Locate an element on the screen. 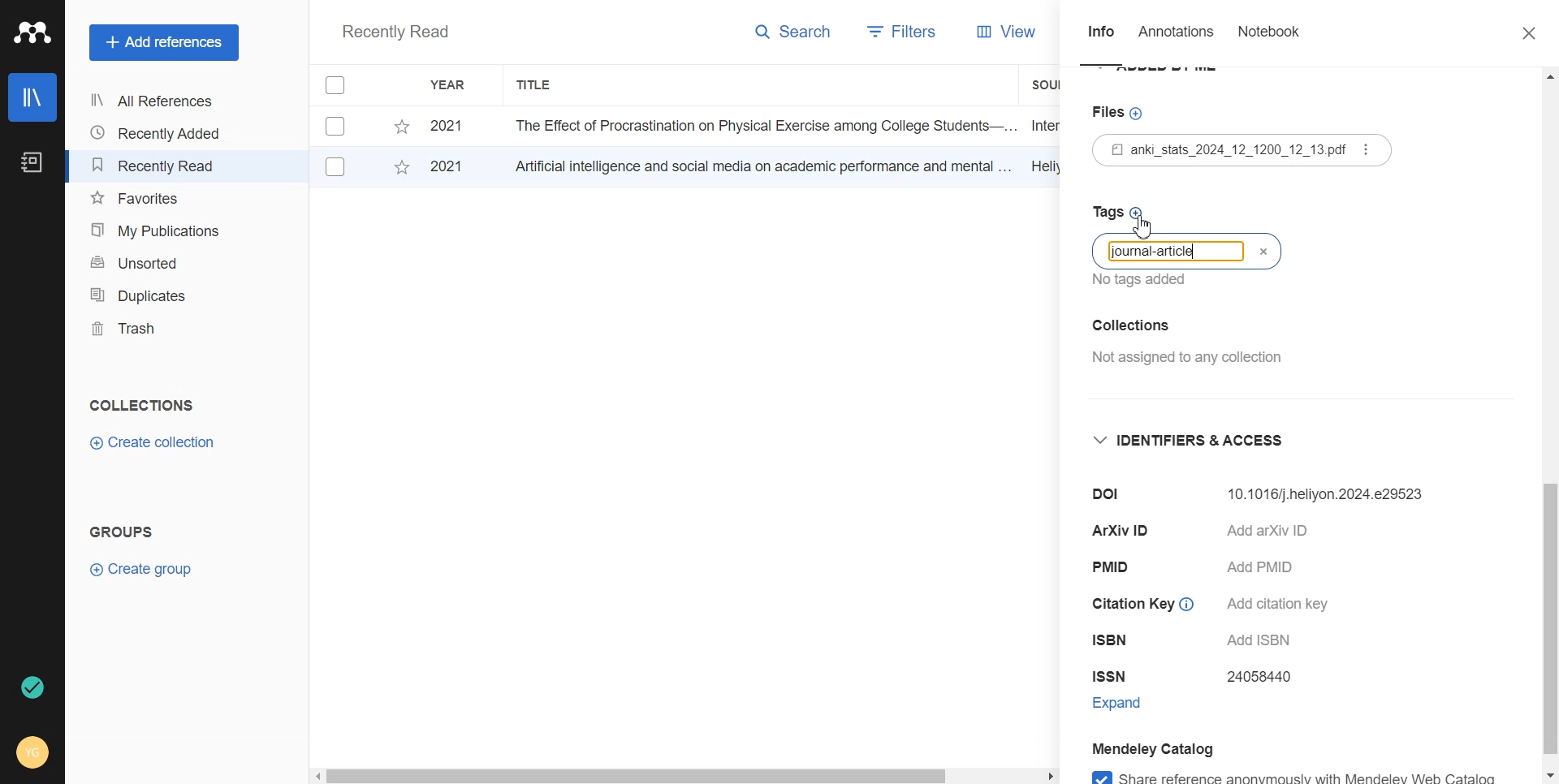 The image size is (1559, 784). View is located at coordinates (992, 32).